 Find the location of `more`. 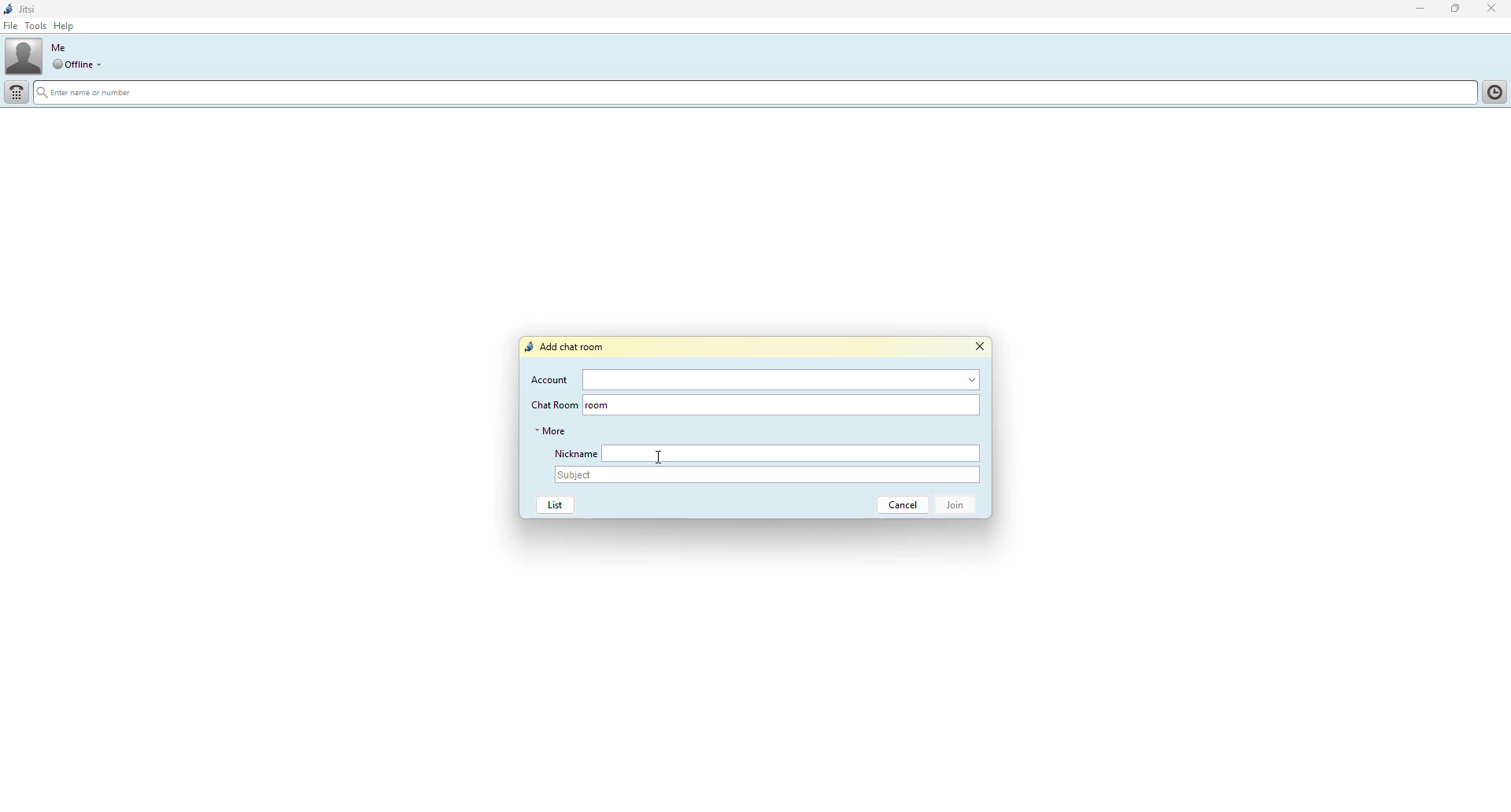

more is located at coordinates (551, 430).